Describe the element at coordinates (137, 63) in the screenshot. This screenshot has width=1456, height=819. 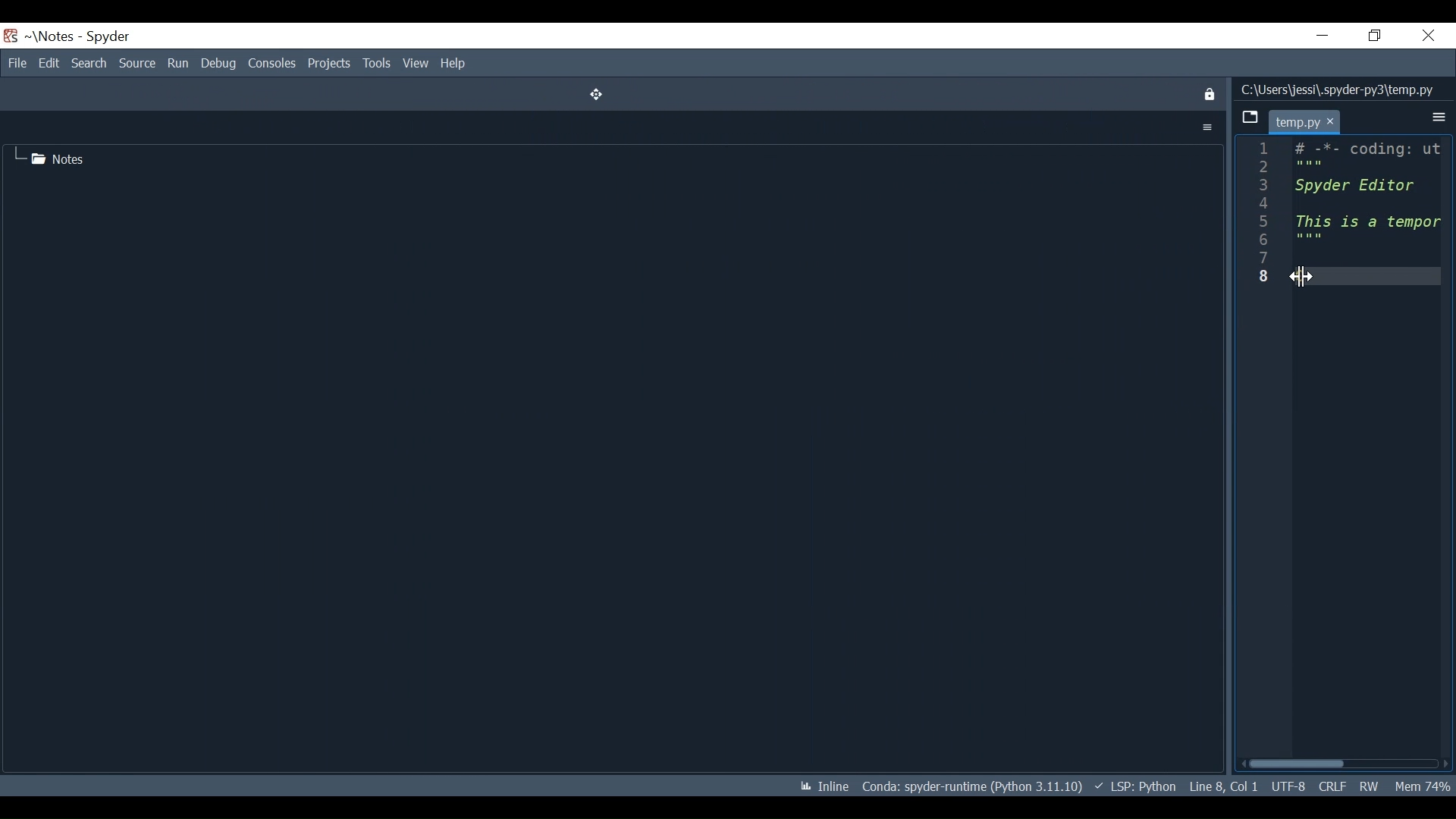
I see `Source` at that location.